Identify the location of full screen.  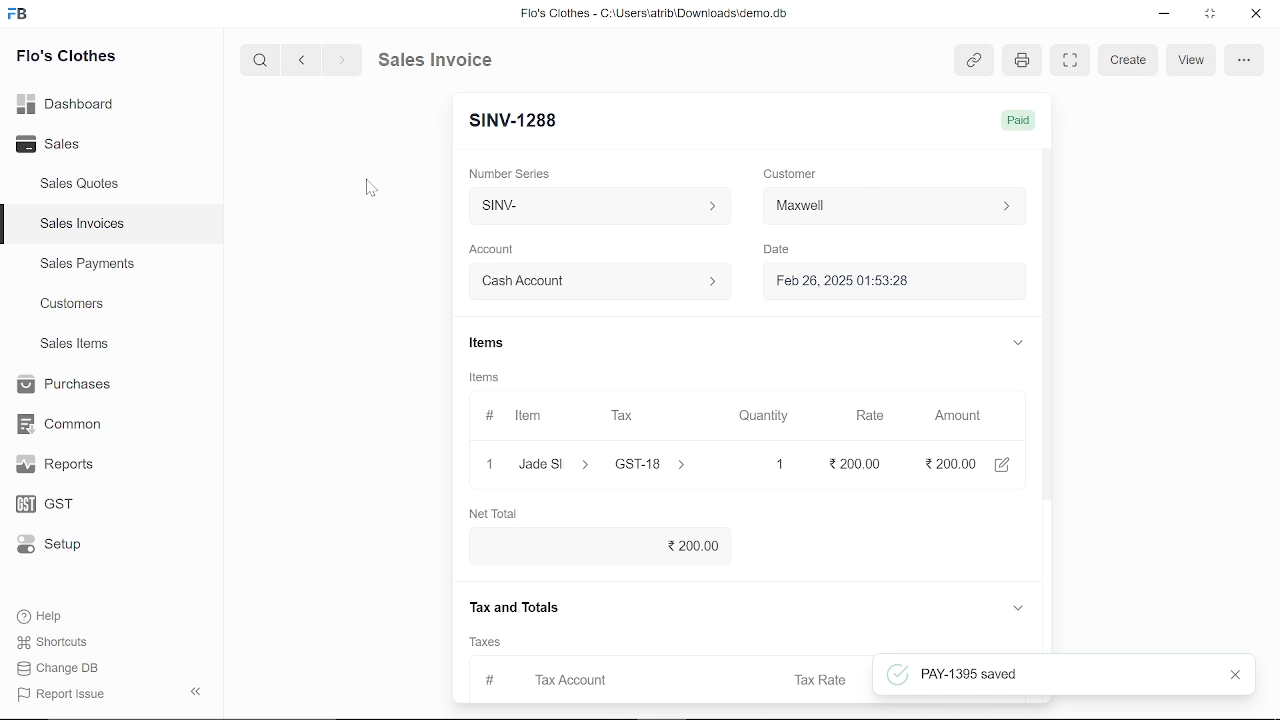
(1069, 60).